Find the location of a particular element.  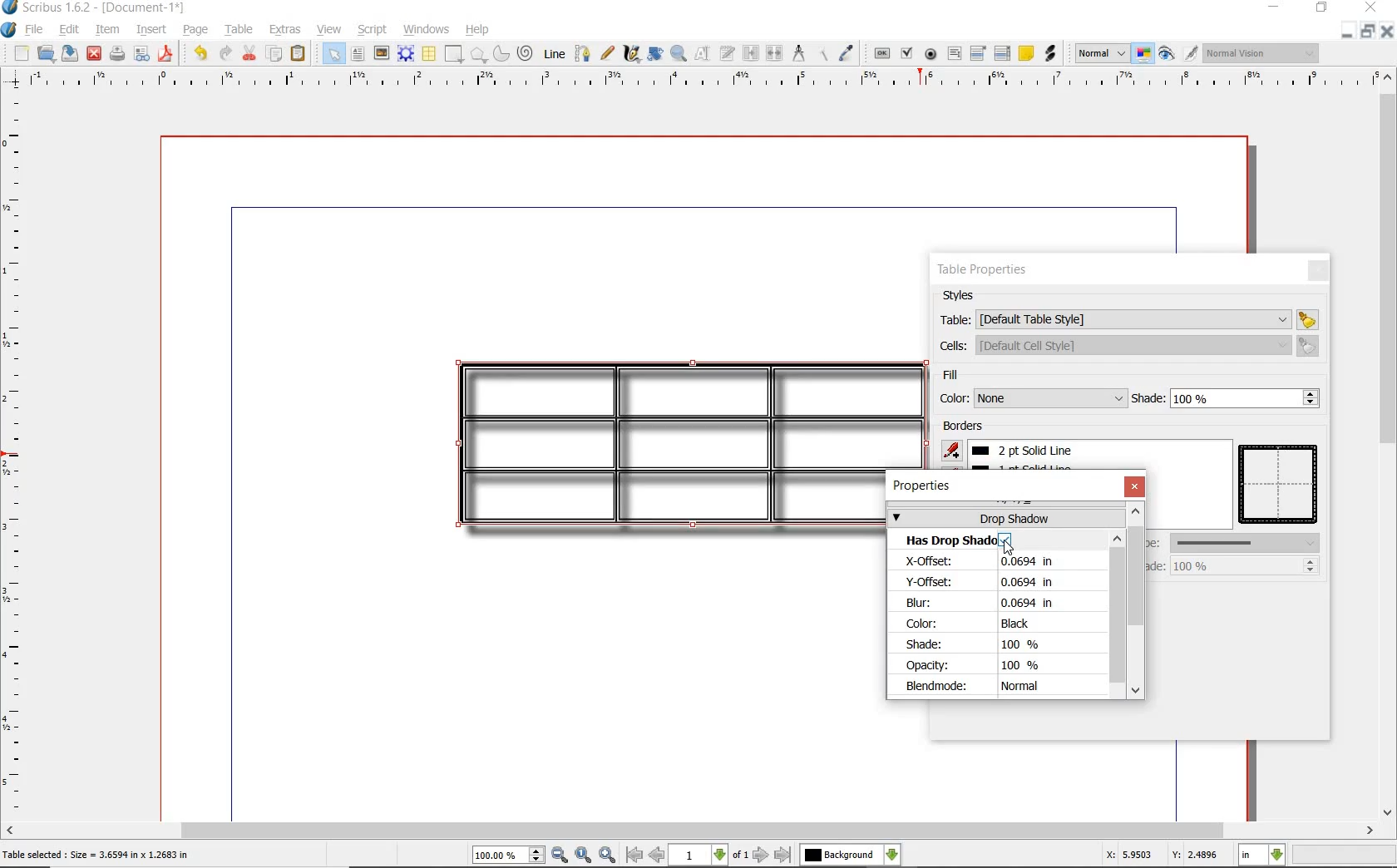

pdf list box is located at coordinates (1003, 53).